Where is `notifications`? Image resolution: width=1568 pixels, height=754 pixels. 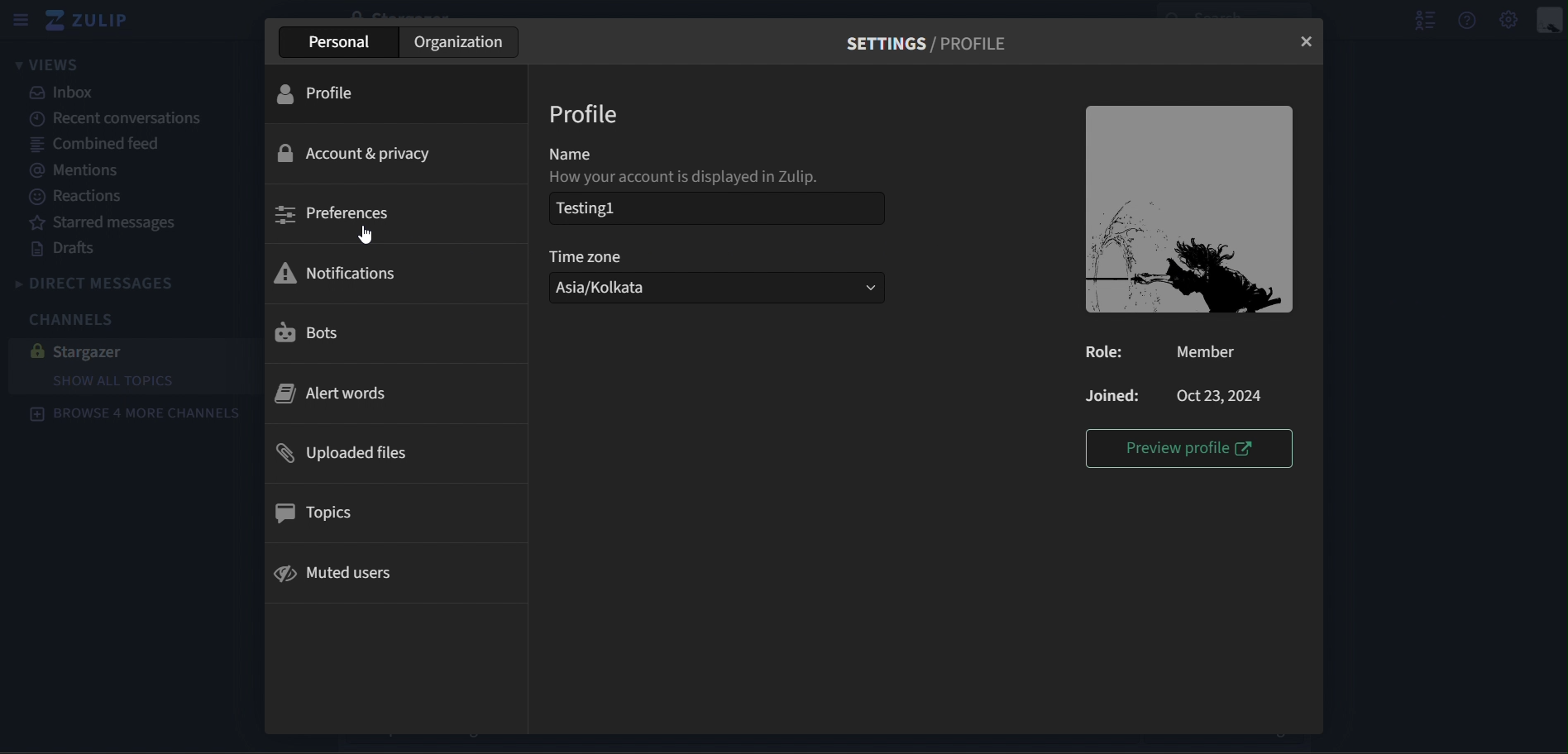 notifications is located at coordinates (338, 271).